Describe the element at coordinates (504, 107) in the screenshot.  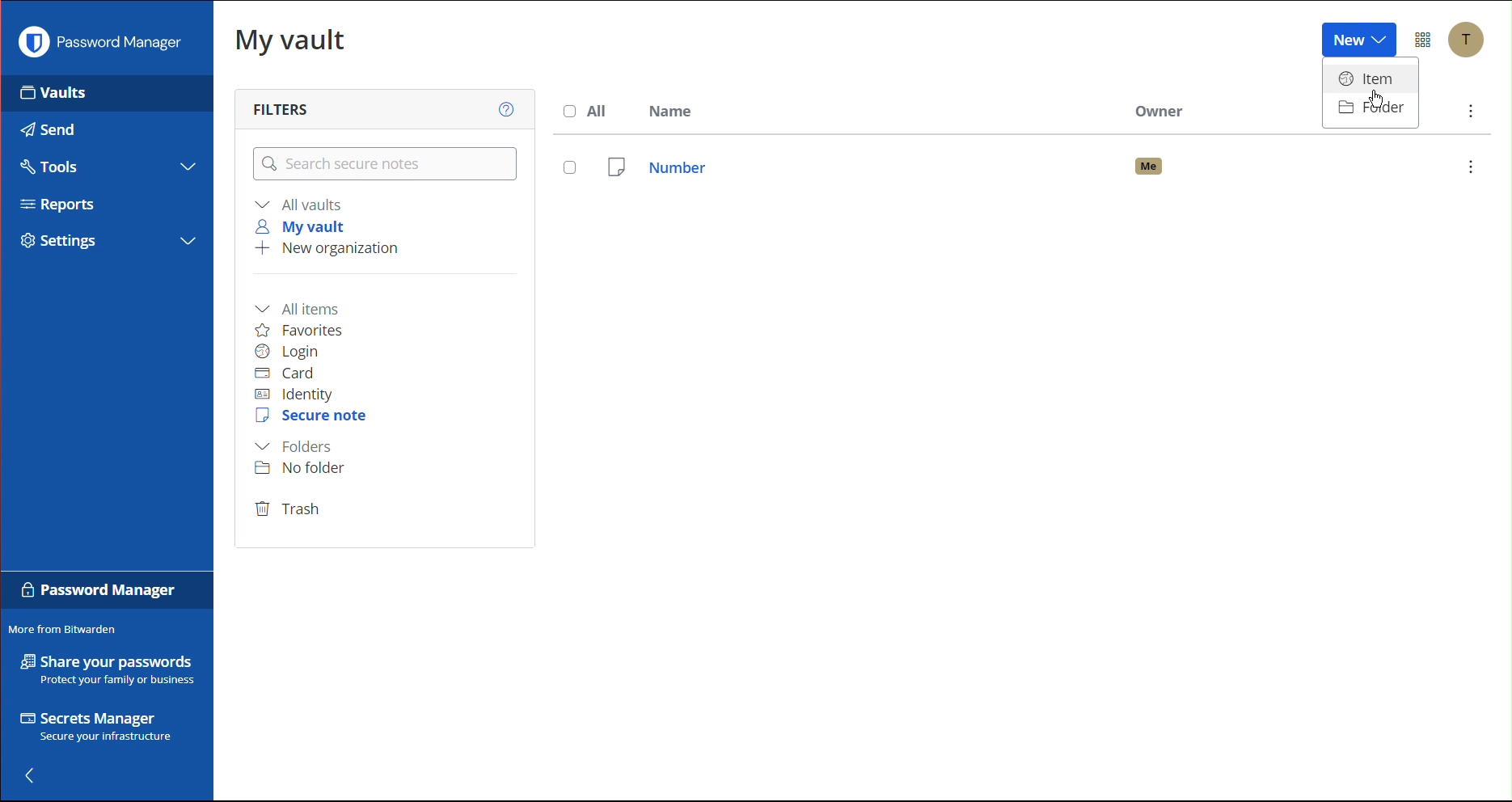
I see `Help` at that location.